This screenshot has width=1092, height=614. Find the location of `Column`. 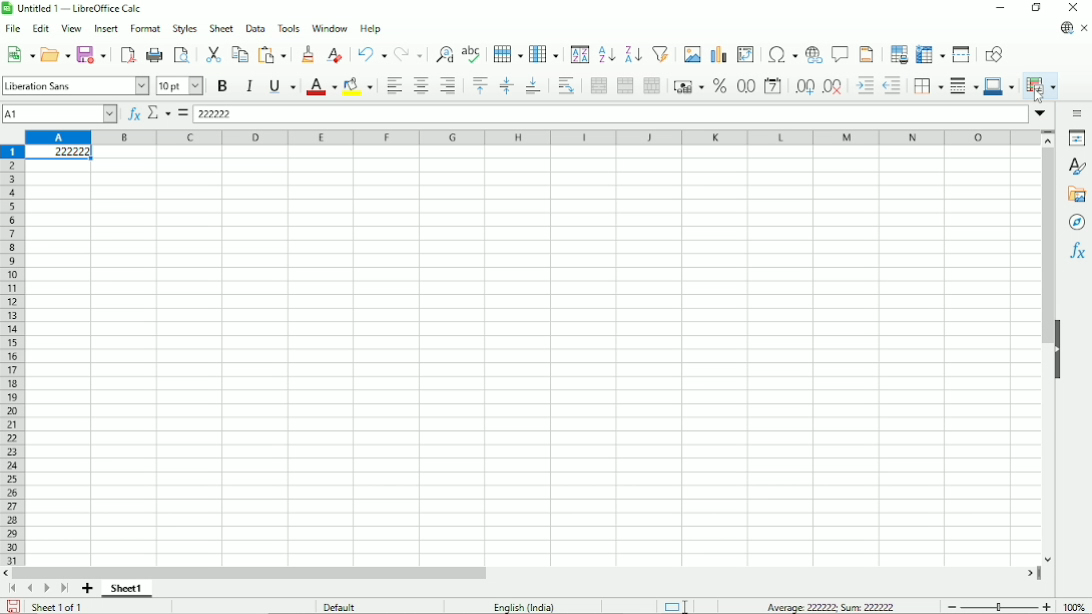

Column is located at coordinates (545, 54).